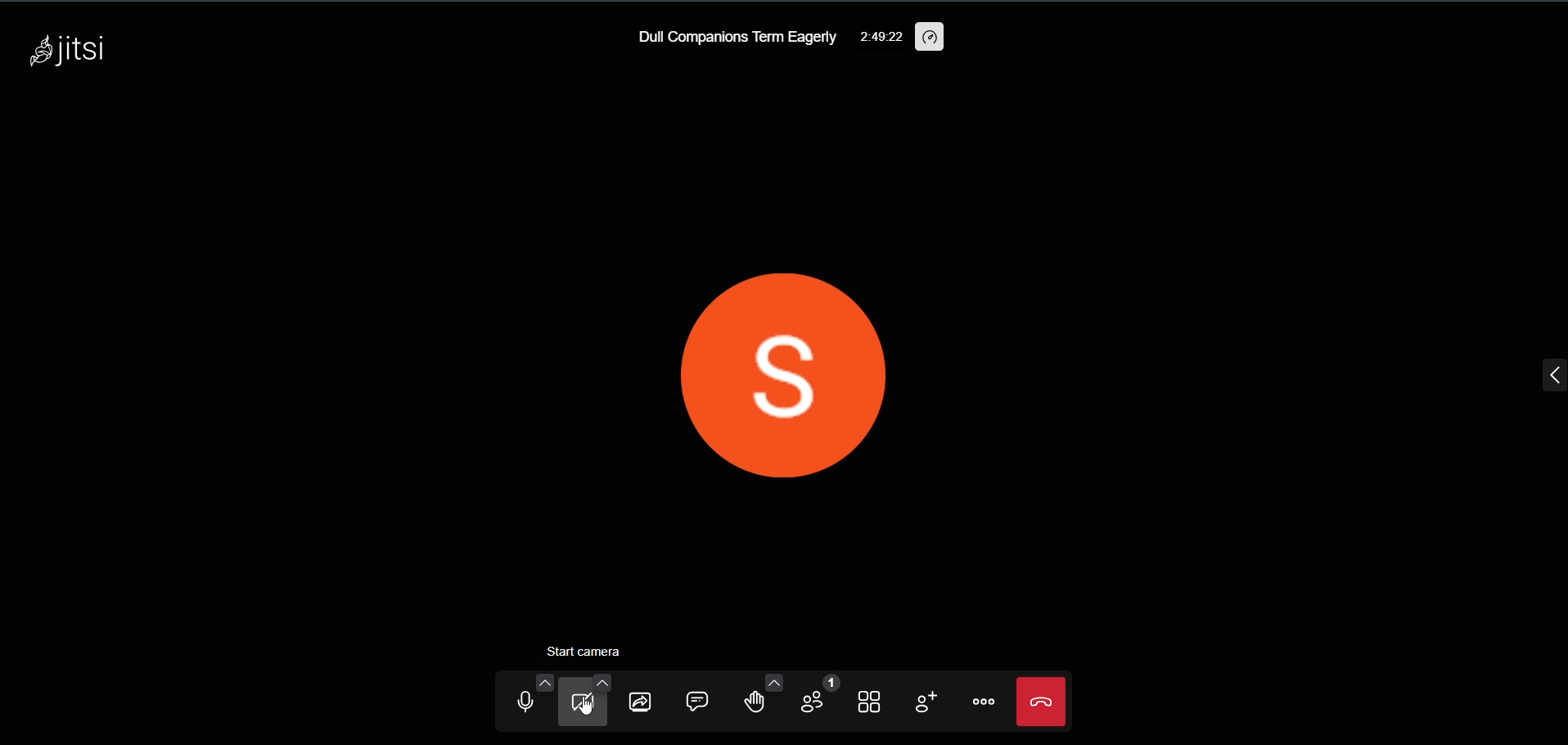 The image size is (1568, 745). Describe the element at coordinates (1543, 374) in the screenshot. I see `expand` at that location.